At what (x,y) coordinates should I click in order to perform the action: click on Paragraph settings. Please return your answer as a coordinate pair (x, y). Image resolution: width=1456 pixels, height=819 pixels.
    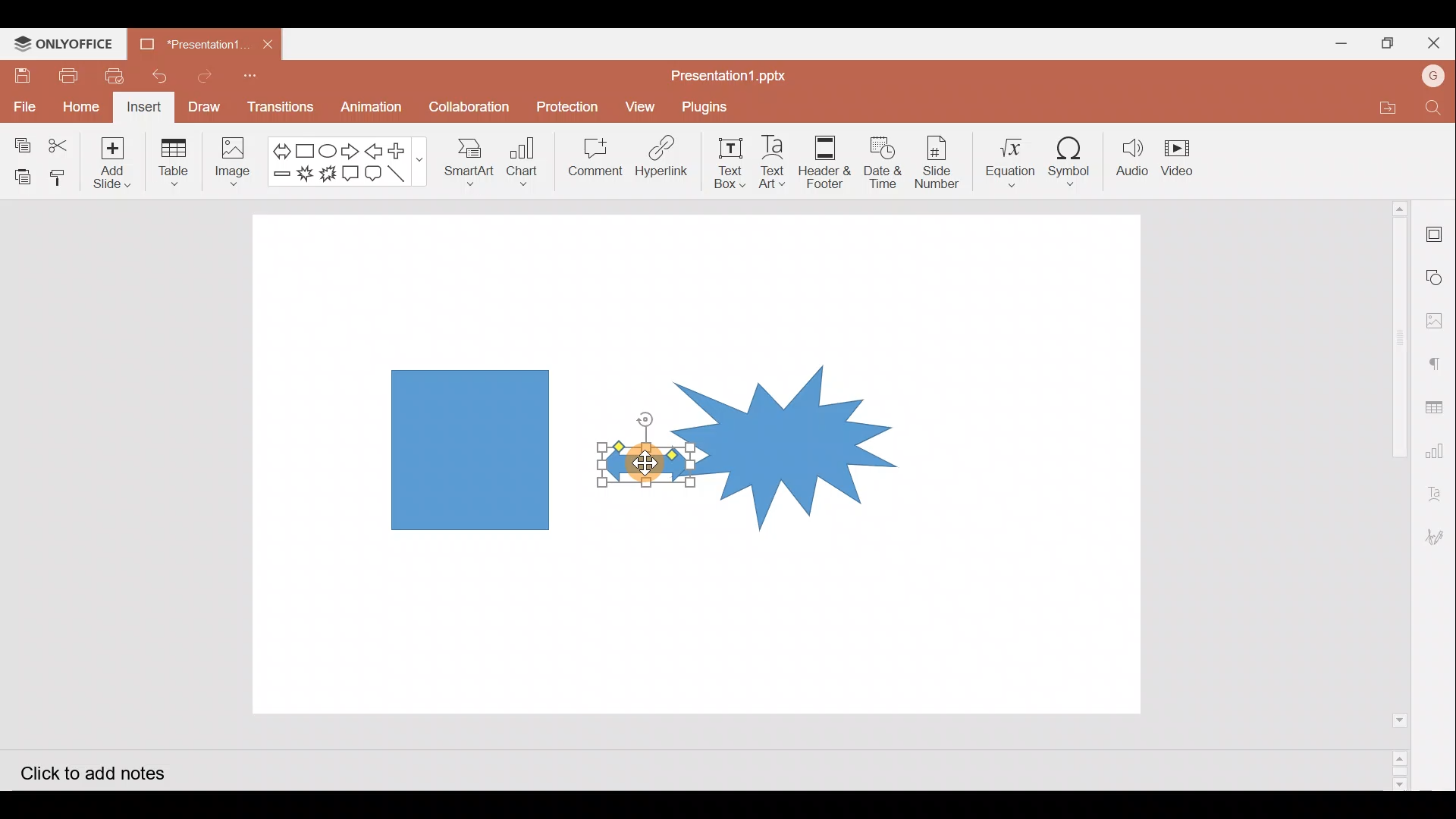
    Looking at the image, I should click on (1436, 366).